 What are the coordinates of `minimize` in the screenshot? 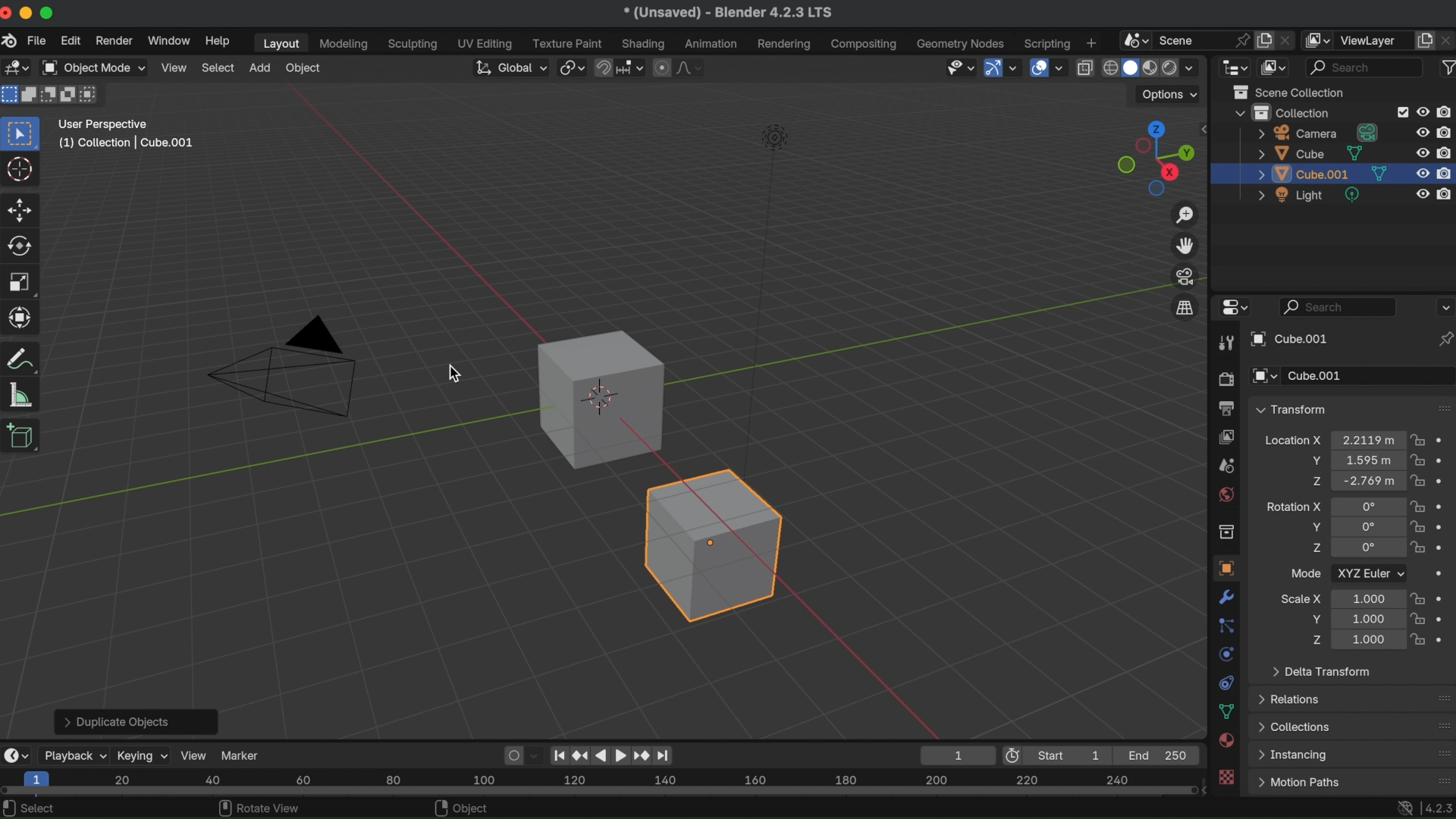 It's located at (29, 13).